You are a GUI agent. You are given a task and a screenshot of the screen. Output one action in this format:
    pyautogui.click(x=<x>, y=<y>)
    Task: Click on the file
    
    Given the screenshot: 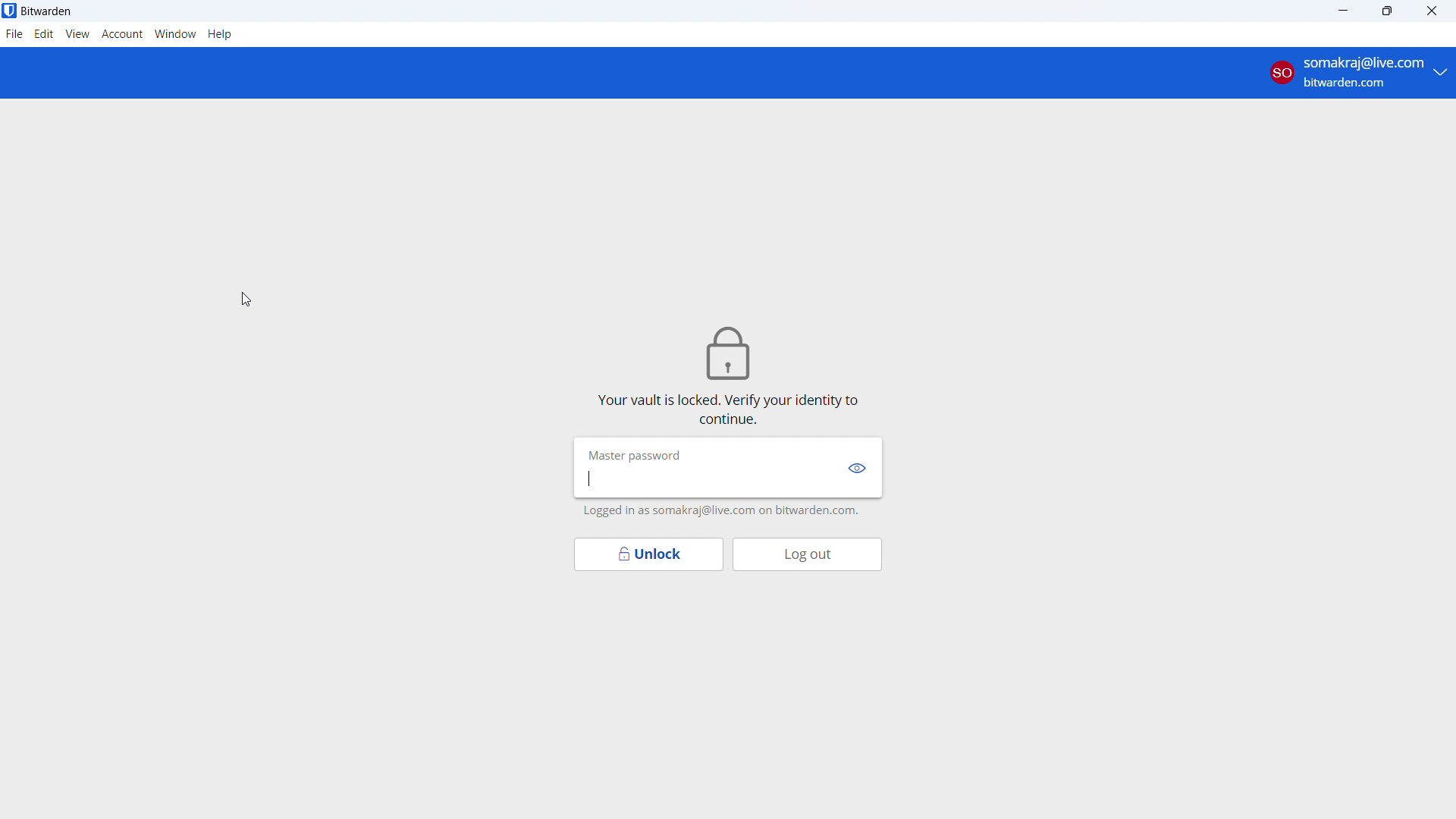 What is the action you would take?
    pyautogui.click(x=14, y=34)
    